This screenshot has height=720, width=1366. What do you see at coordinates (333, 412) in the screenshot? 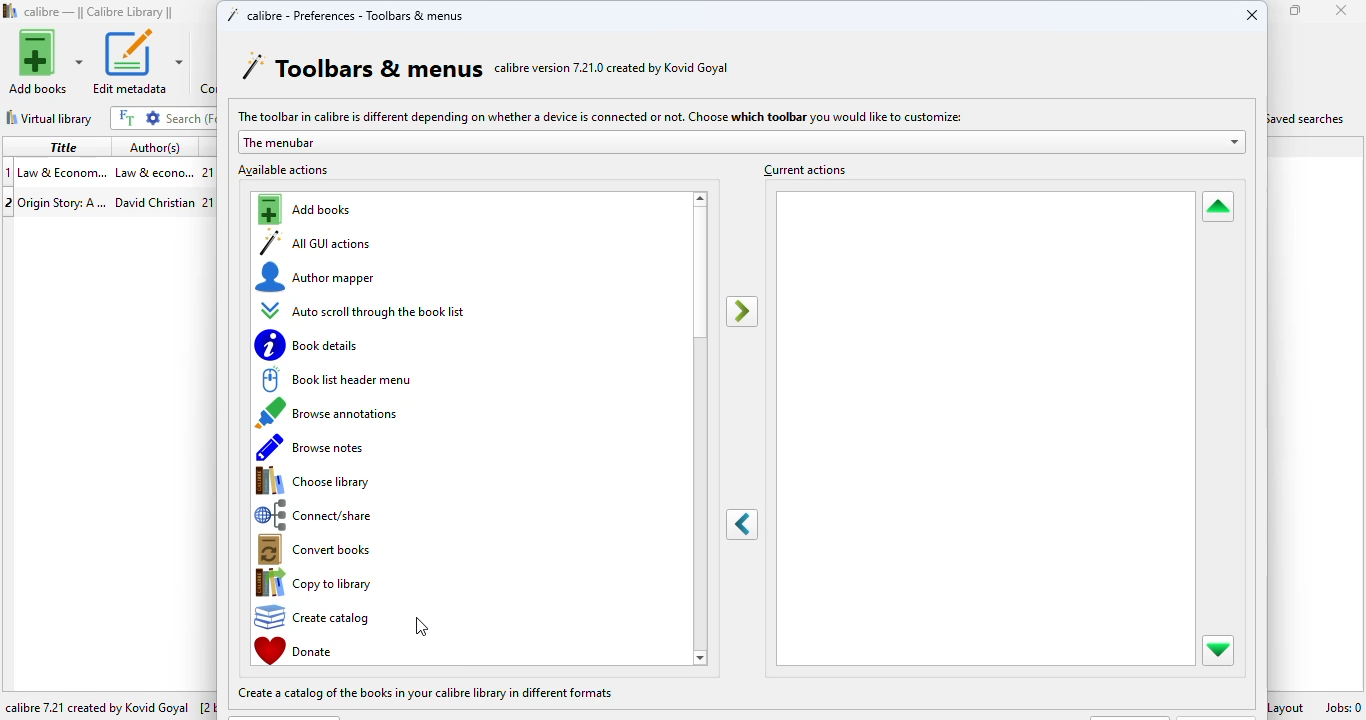
I see `browse annotations` at bounding box center [333, 412].